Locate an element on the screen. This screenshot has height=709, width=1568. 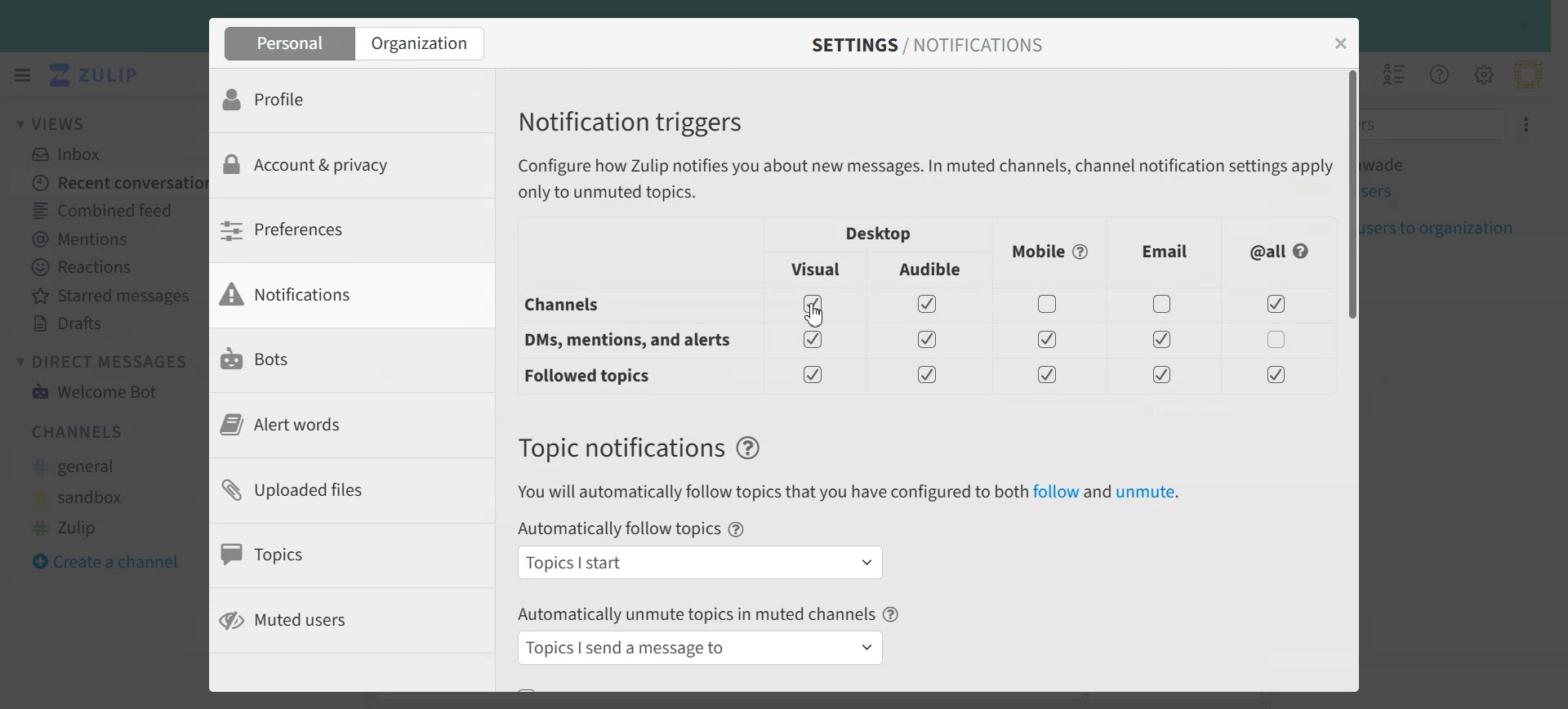
Desktop is located at coordinates (880, 234).